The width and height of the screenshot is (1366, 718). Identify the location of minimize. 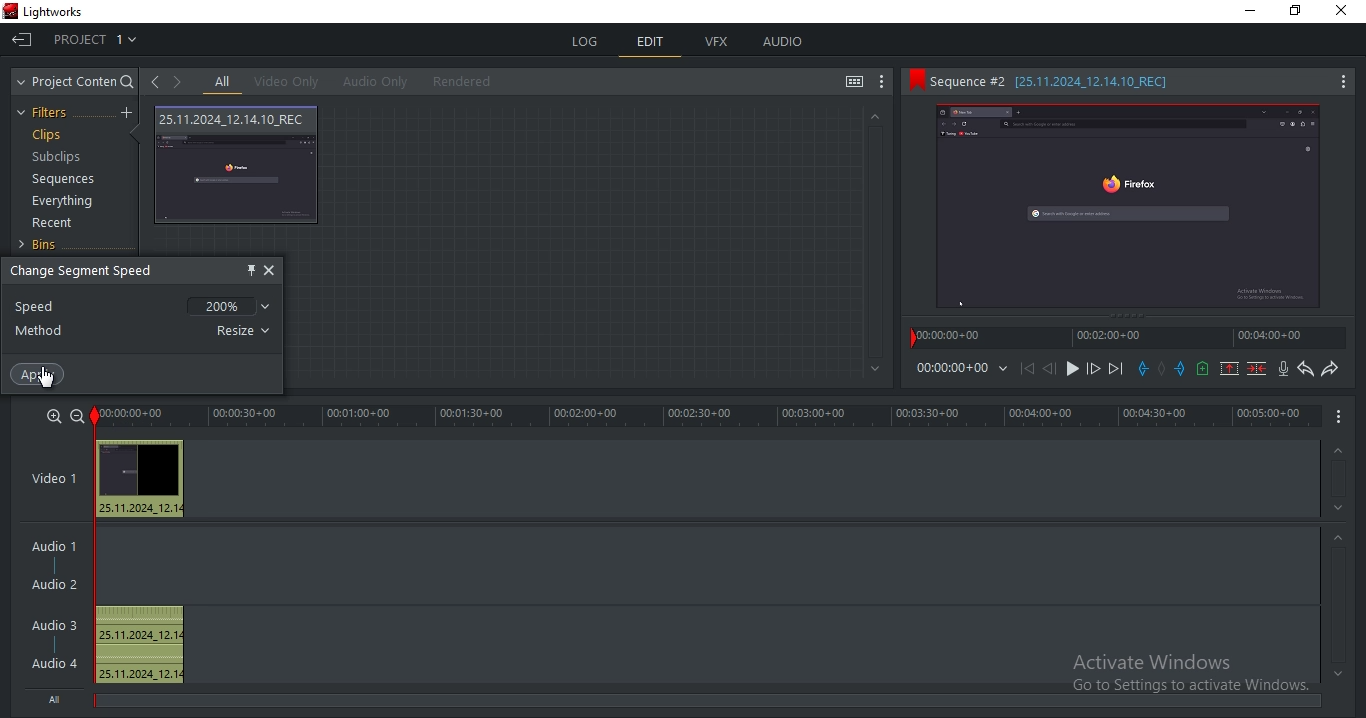
(1253, 14).